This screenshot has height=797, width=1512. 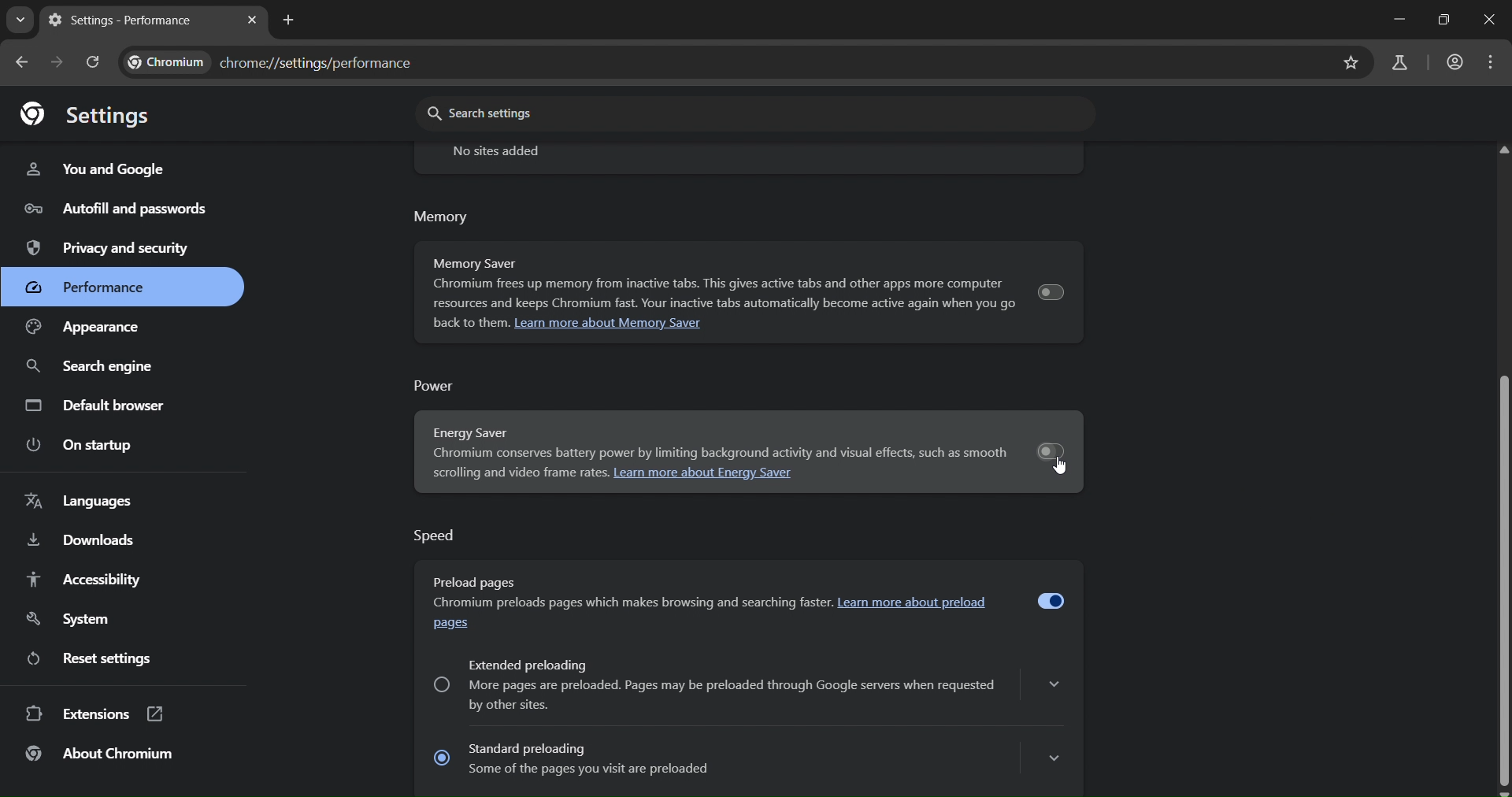 I want to click on back to them, so click(x=469, y=324).